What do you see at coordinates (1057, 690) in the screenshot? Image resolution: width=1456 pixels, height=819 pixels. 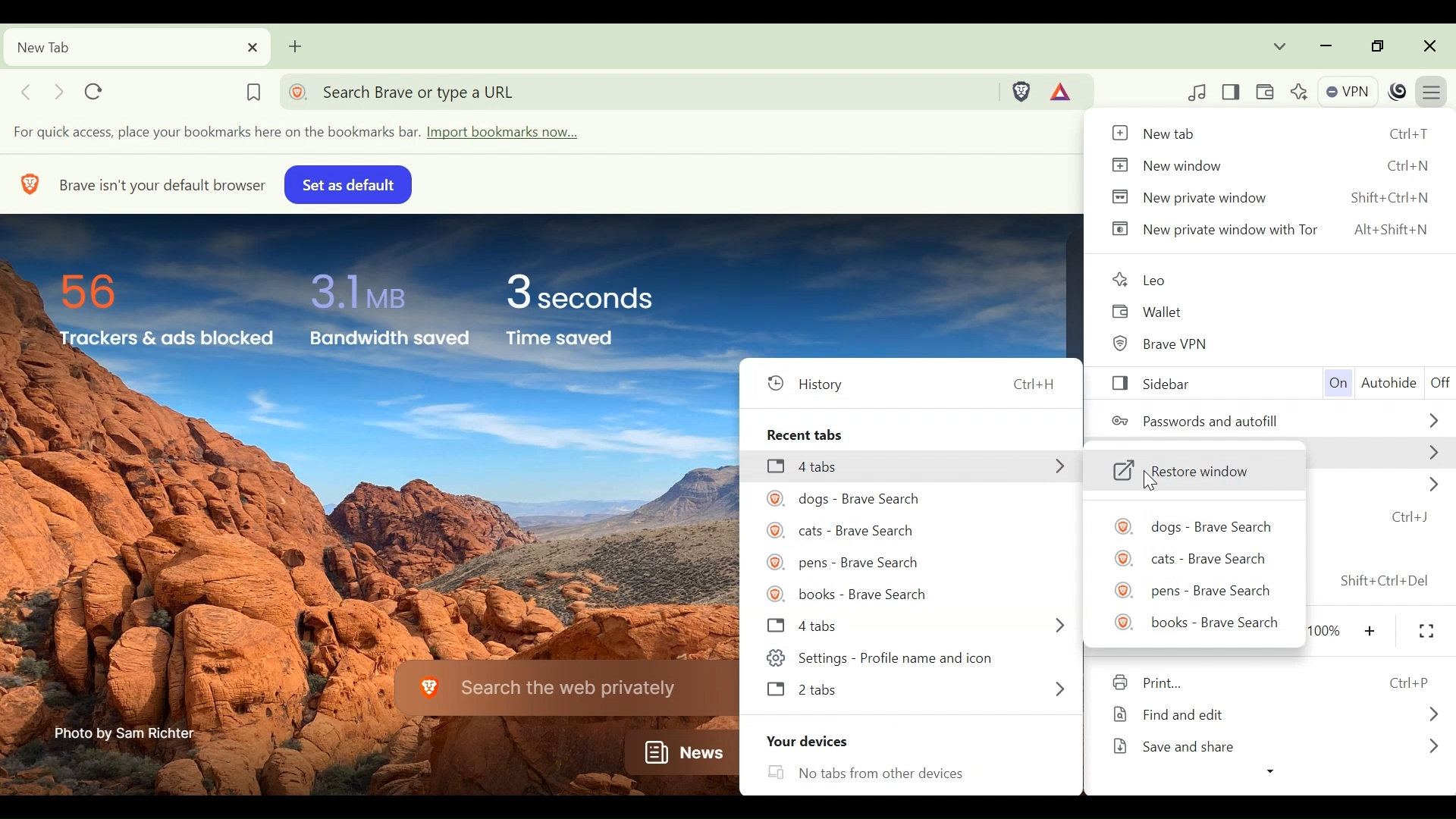 I see `MORE` at bounding box center [1057, 690].